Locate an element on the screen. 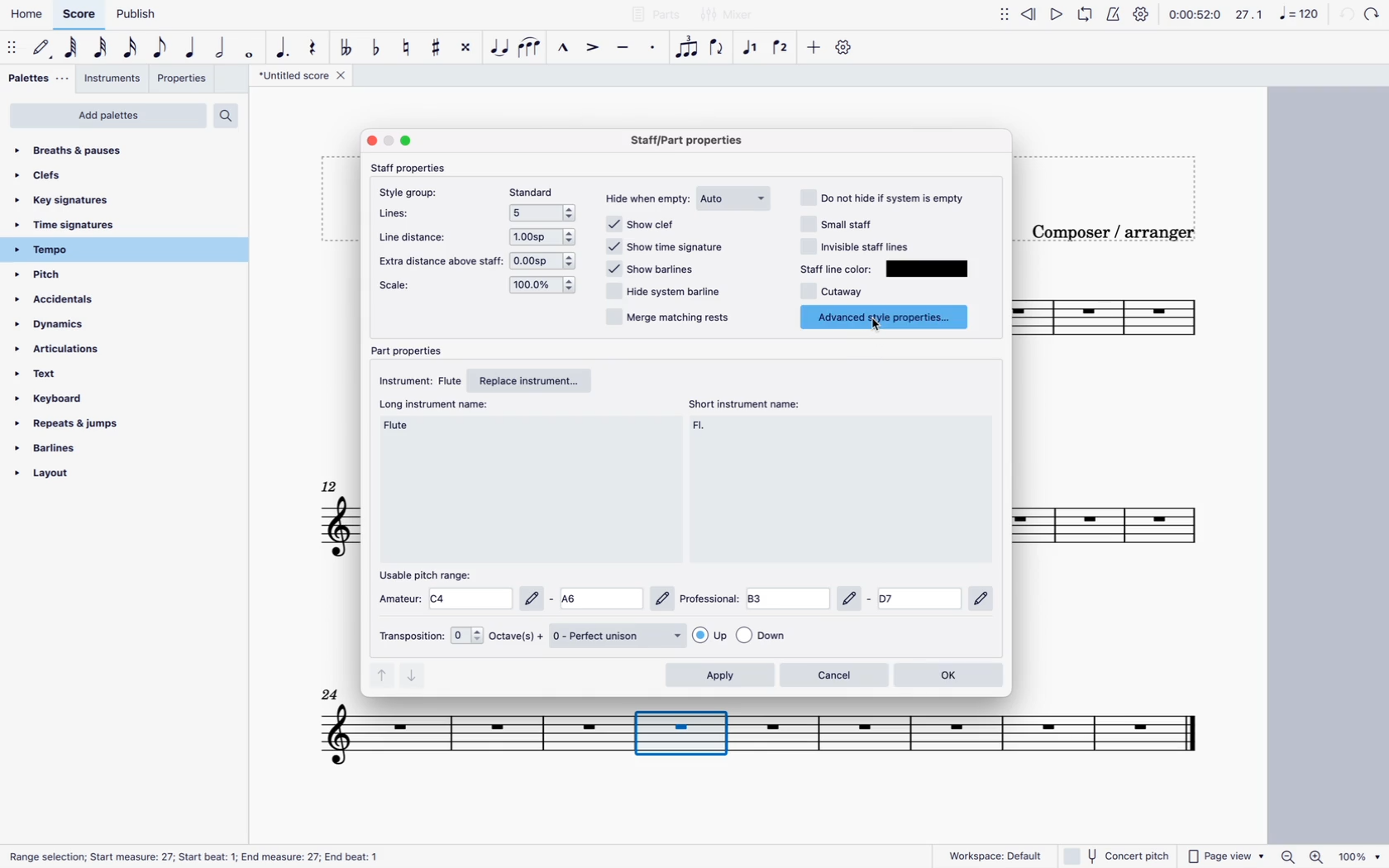 The width and height of the screenshot is (1389, 868). time is located at coordinates (1194, 13).